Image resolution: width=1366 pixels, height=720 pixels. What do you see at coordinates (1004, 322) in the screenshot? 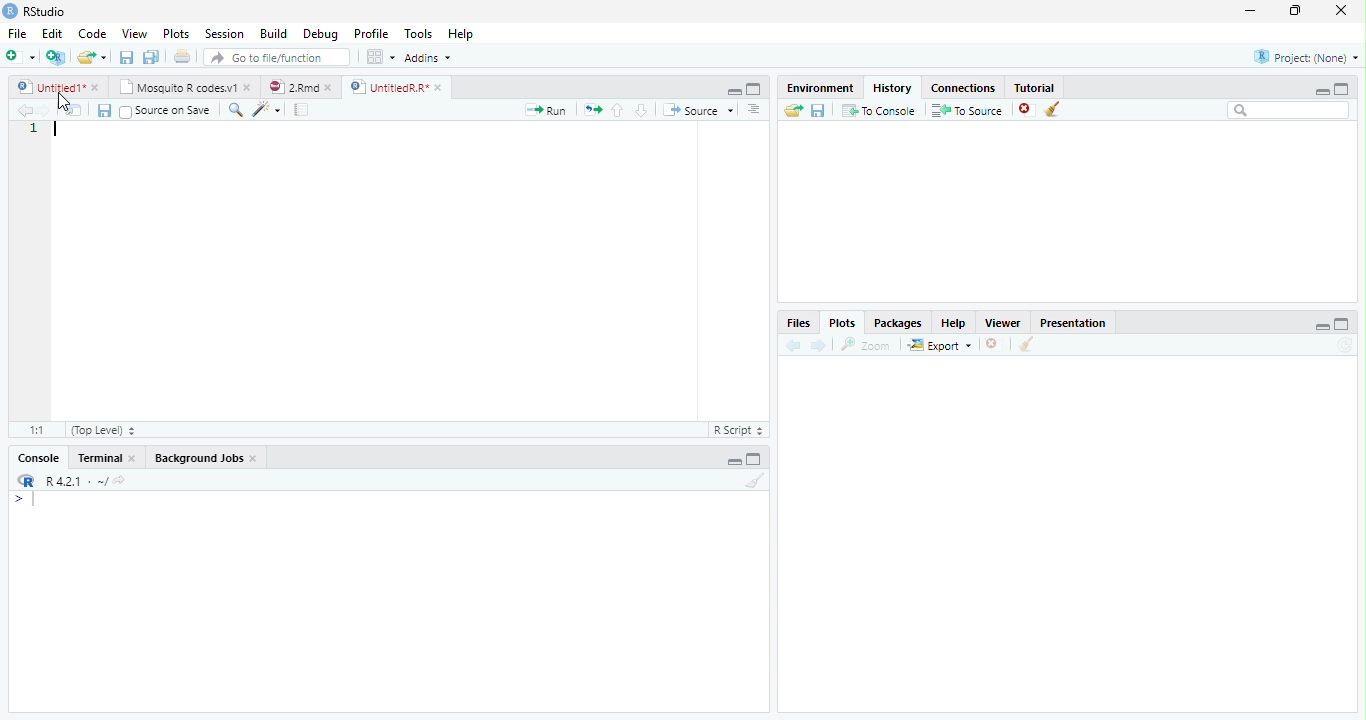
I see `Viewer` at bounding box center [1004, 322].